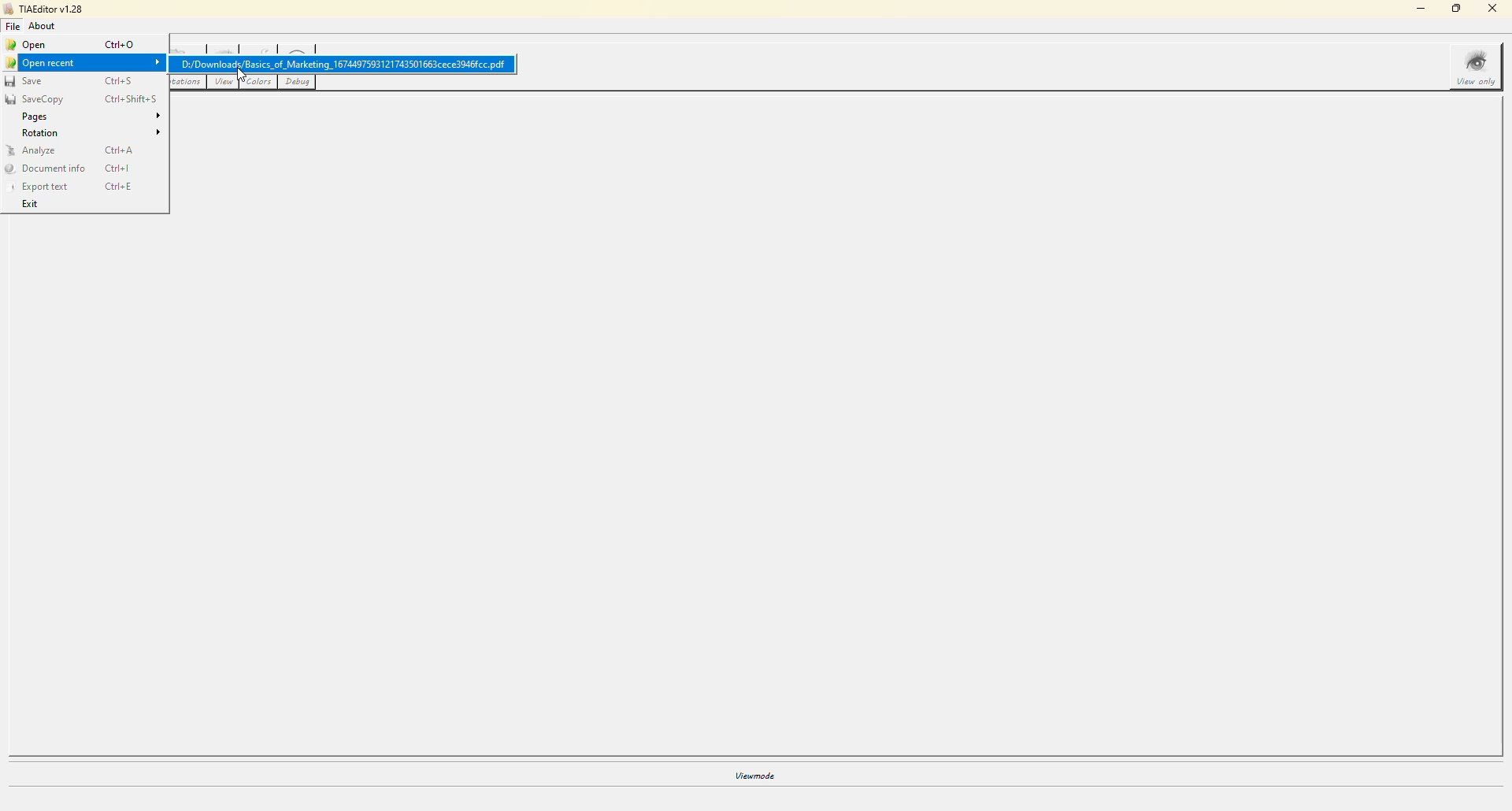 This screenshot has height=811, width=1512. Describe the element at coordinates (13, 26) in the screenshot. I see `file` at that location.